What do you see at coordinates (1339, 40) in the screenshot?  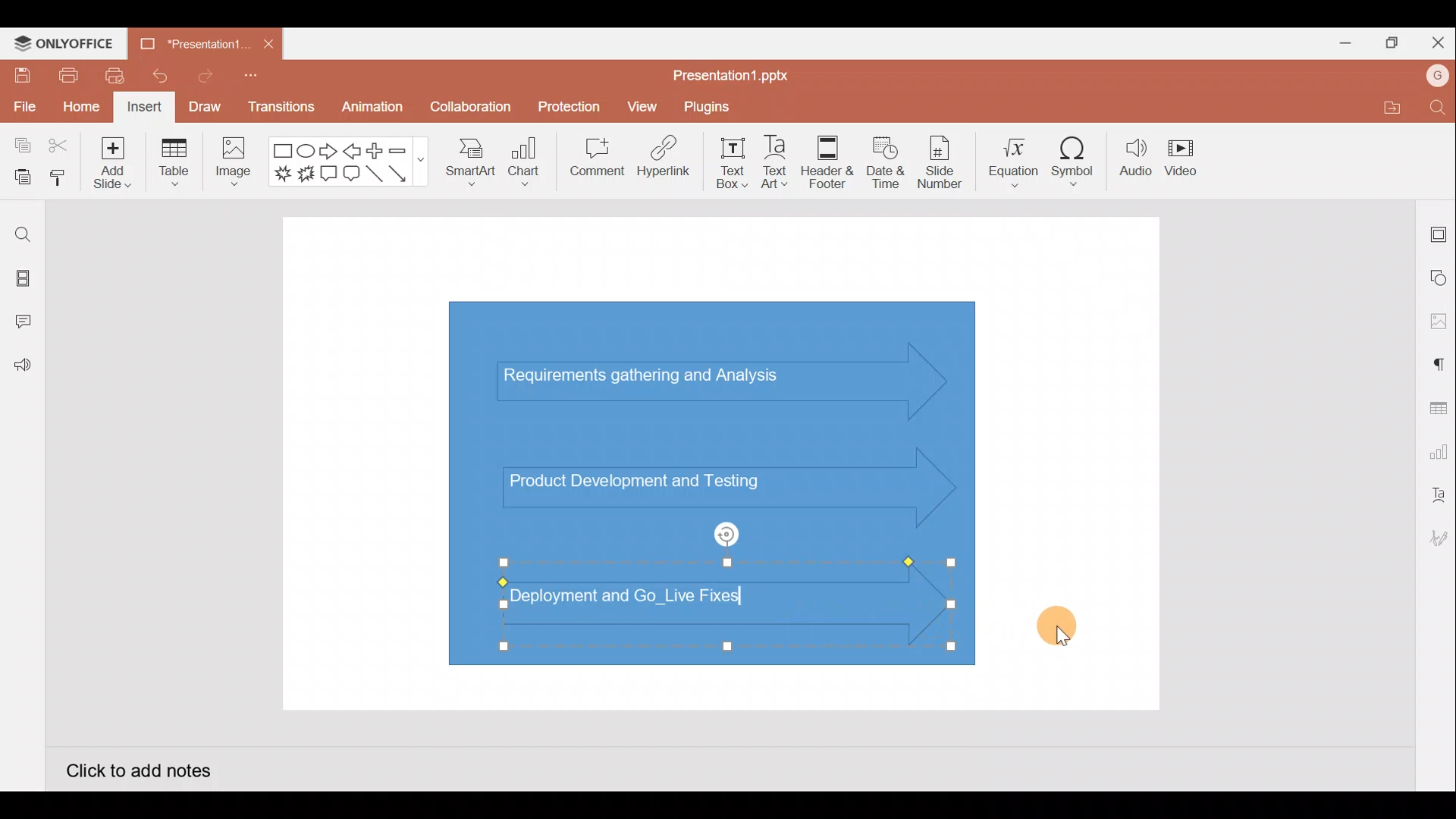 I see `Minimize` at bounding box center [1339, 40].